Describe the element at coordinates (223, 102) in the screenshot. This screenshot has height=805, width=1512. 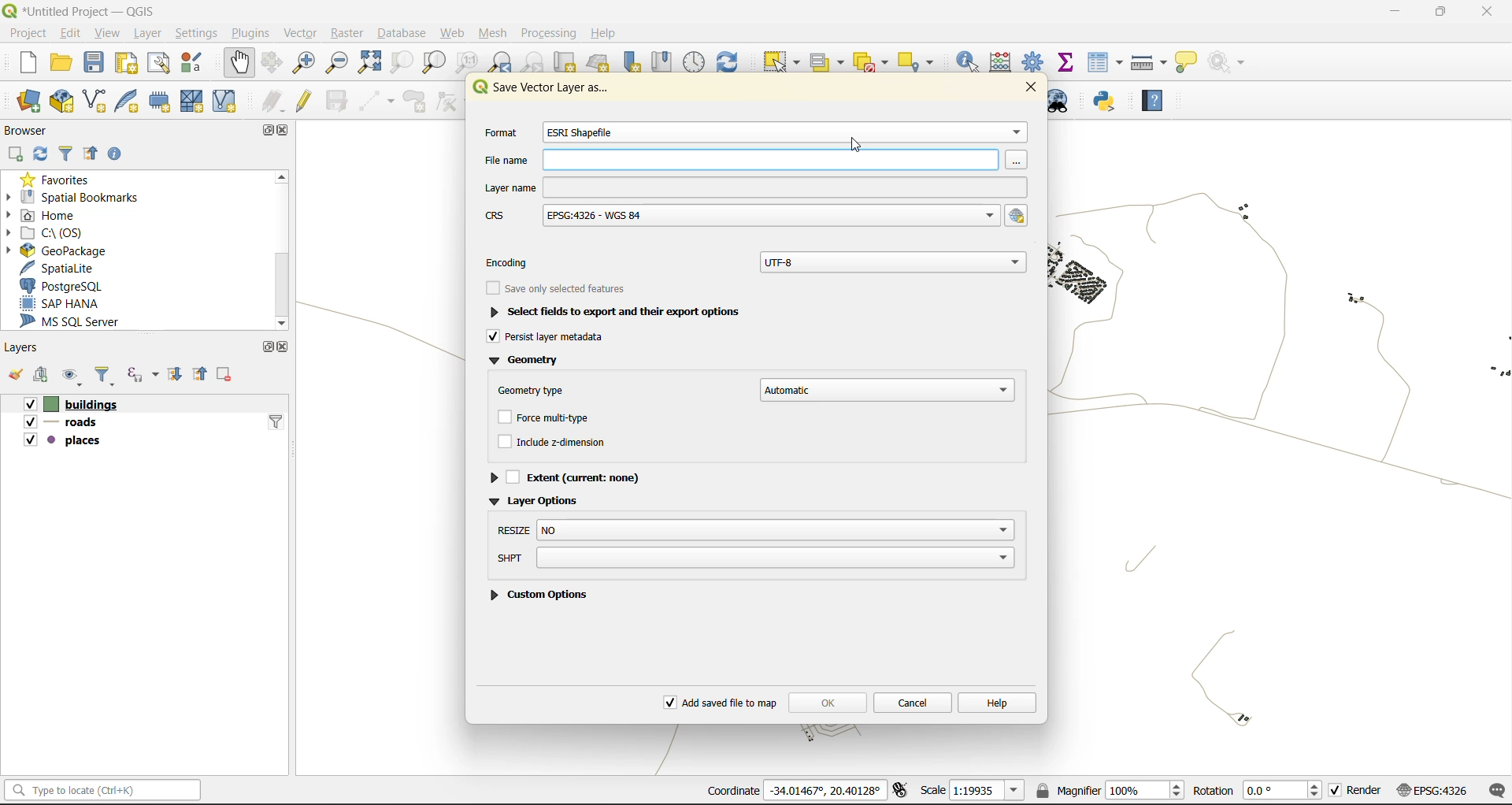
I see `new virtual layer` at that location.